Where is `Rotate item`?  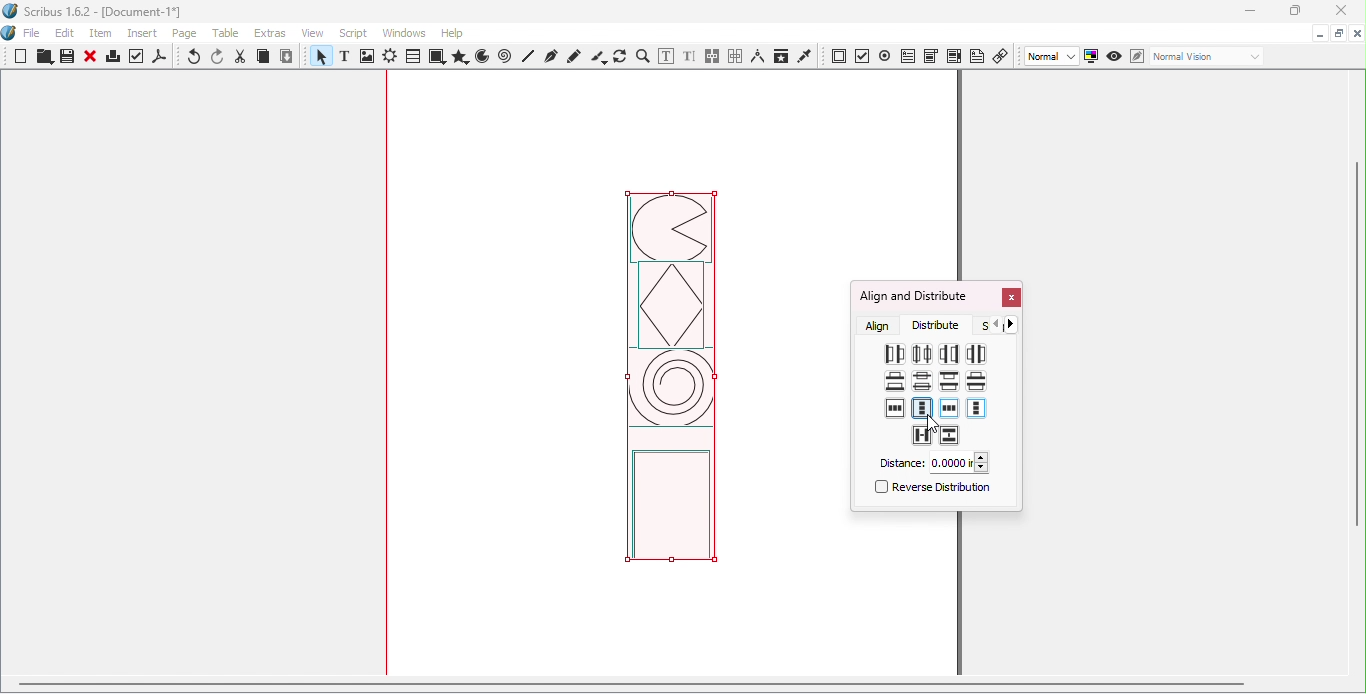 Rotate item is located at coordinates (620, 56).